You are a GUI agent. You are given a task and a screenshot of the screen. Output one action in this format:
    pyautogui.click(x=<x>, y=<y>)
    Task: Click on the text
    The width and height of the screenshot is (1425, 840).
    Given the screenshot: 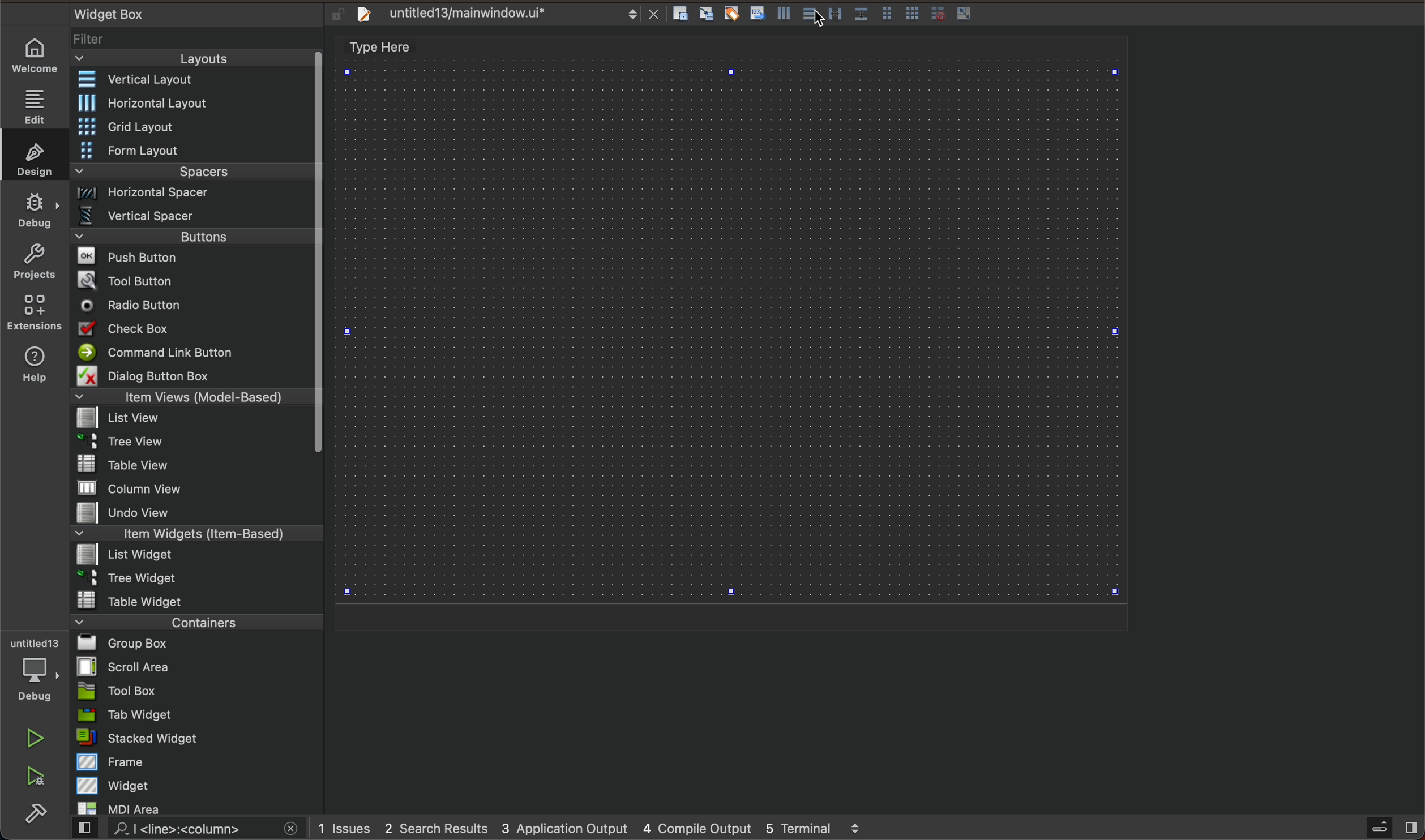 What is the action you would take?
    pyautogui.click(x=388, y=45)
    